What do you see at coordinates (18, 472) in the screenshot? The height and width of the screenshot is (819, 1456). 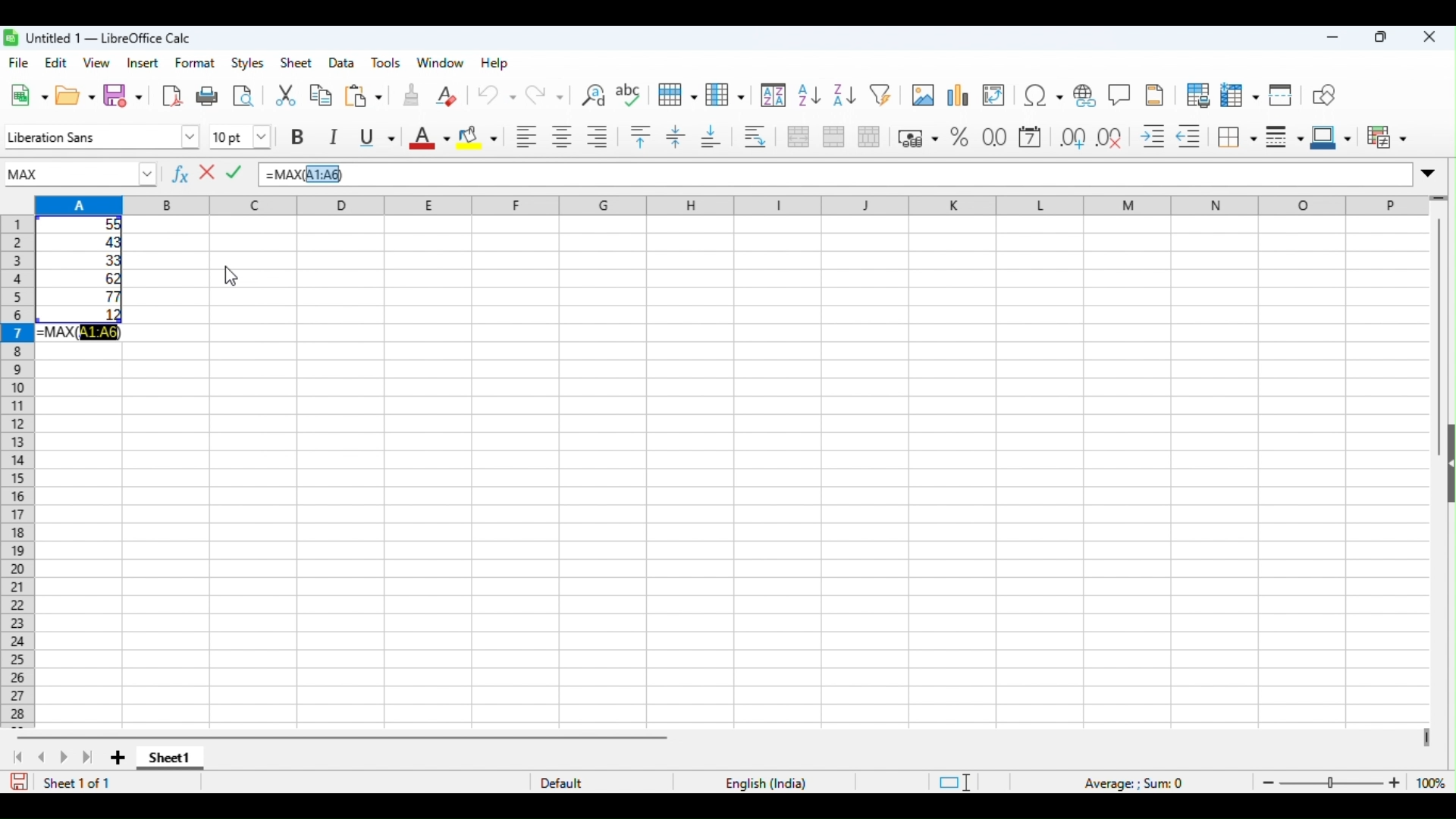 I see `row numbers` at bounding box center [18, 472].